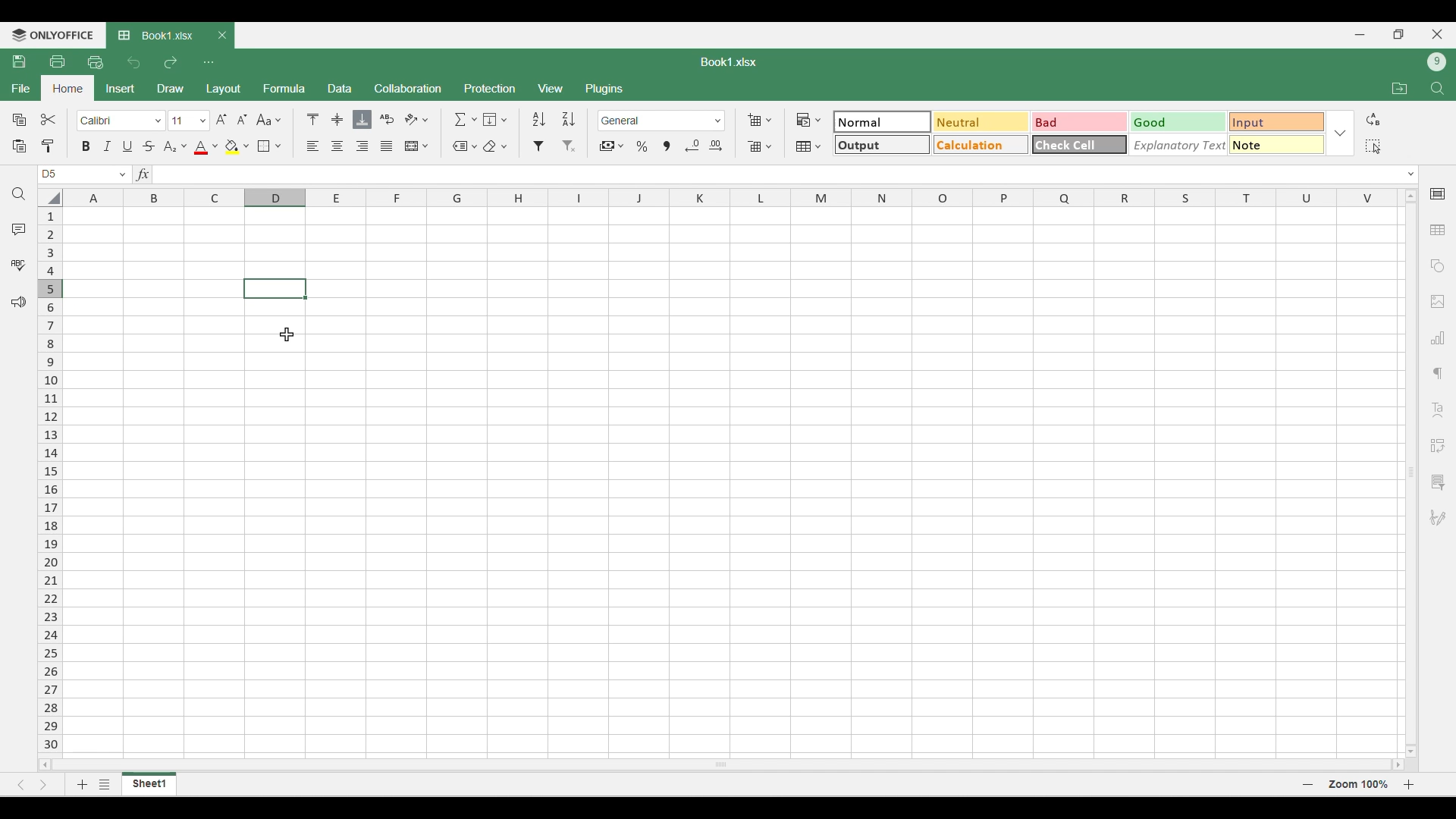 The width and height of the screenshot is (1456, 819). What do you see at coordinates (1438, 409) in the screenshot?
I see `Text alignment` at bounding box center [1438, 409].